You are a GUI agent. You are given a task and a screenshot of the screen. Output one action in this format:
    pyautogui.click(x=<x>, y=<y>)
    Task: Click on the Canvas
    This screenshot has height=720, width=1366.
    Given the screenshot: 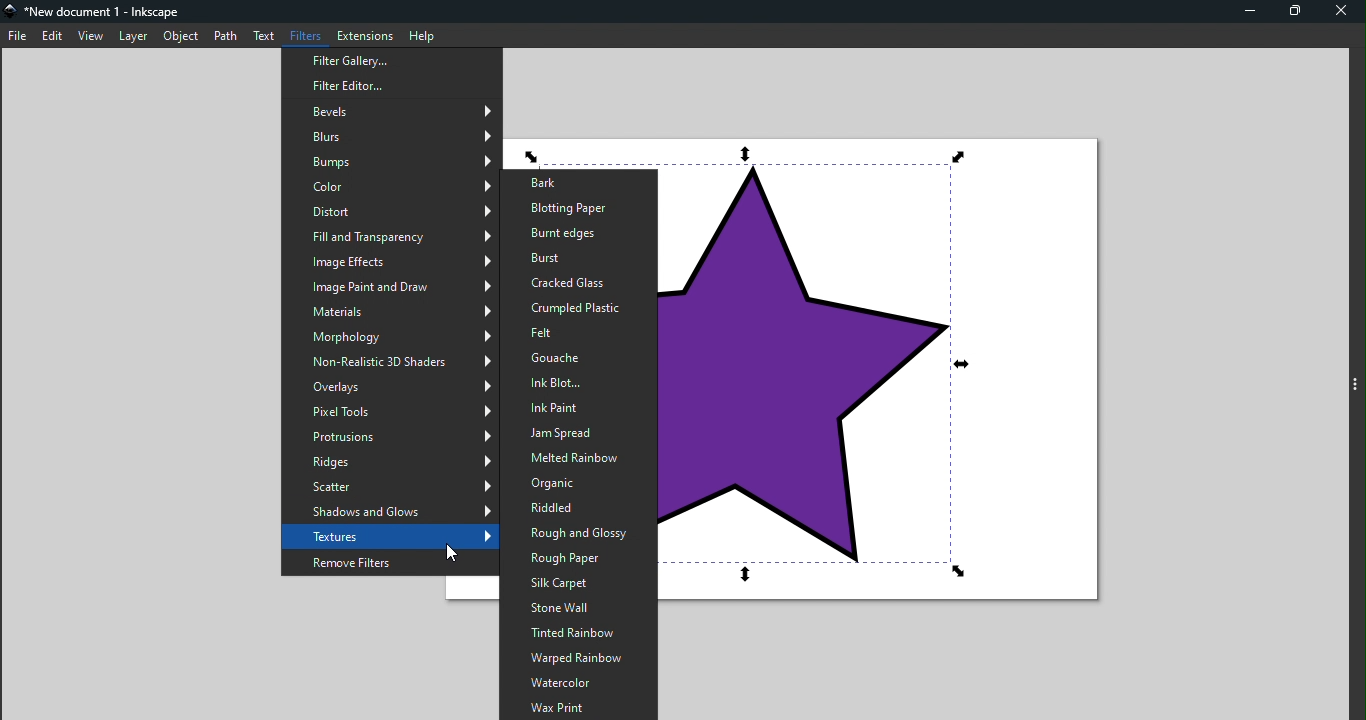 What is the action you would take?
    pyautogui.click(x=888, y=380)
    